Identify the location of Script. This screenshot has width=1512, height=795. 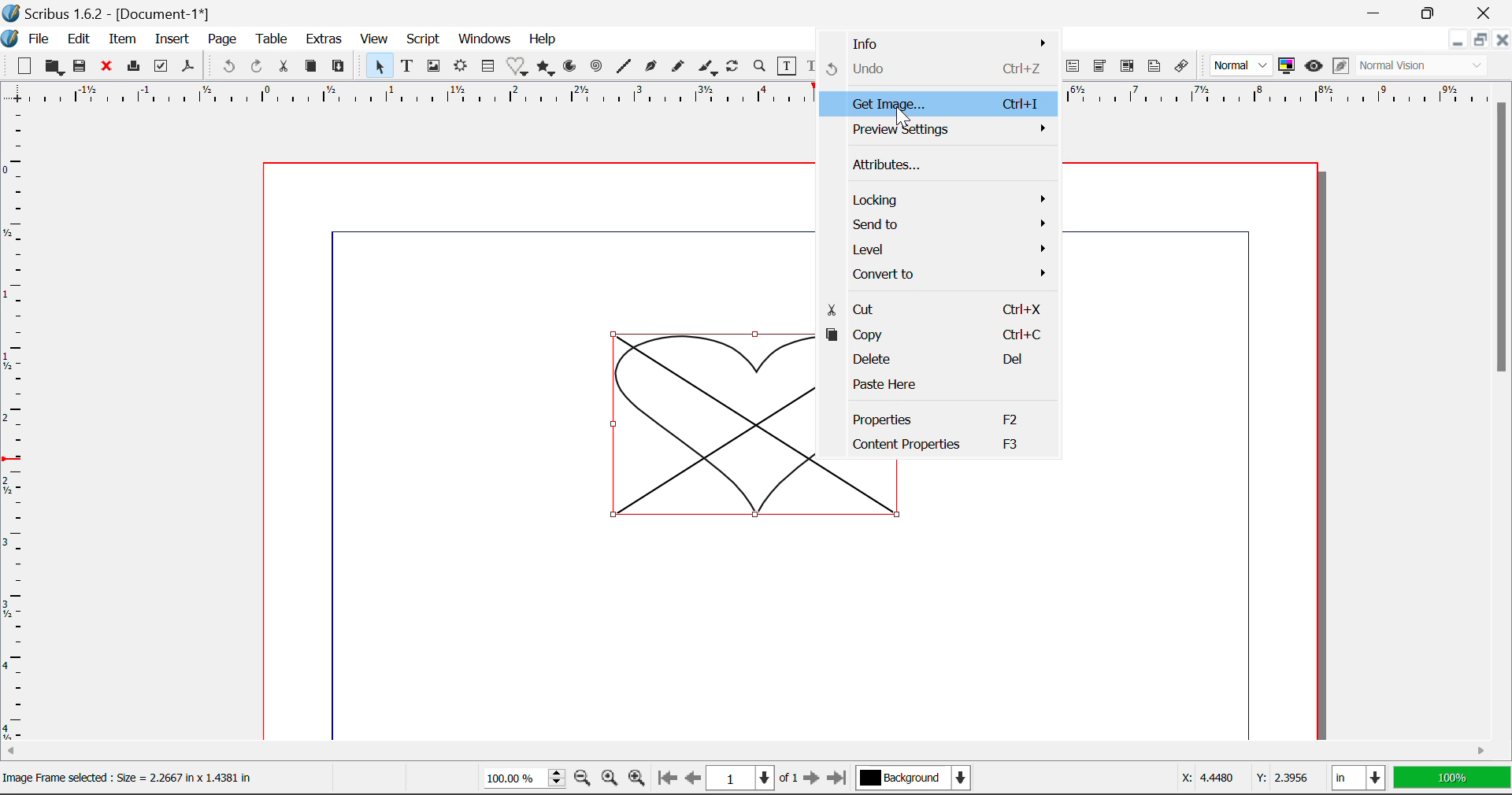
(422, 41).